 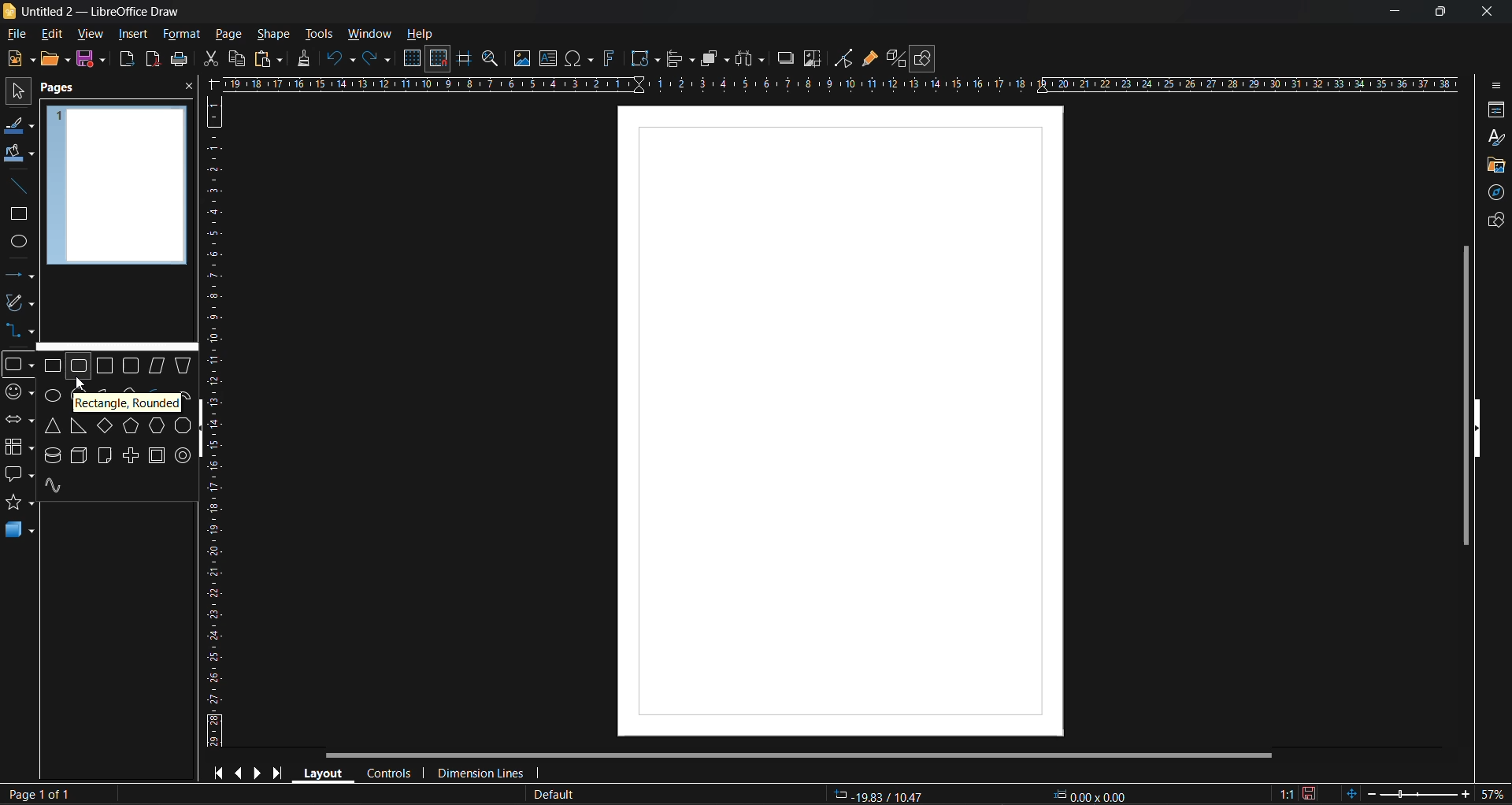 What do you see at coordinates (894, 58) in the screenshot?
I see `toggle extrusion` at bounding box center [894, 58].